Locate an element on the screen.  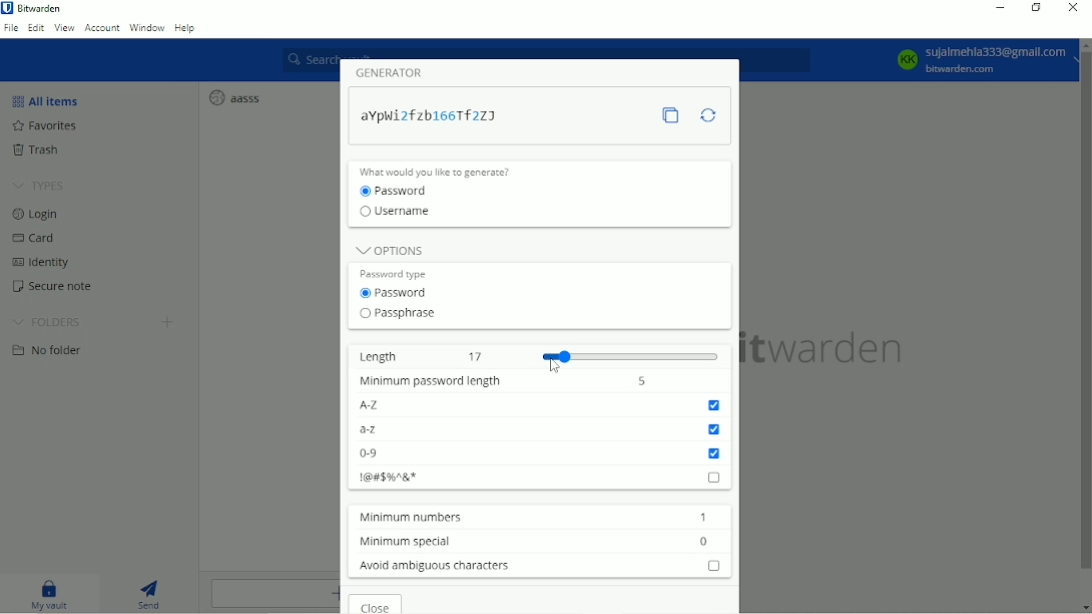
No folder is located at coordinates (53, 353).